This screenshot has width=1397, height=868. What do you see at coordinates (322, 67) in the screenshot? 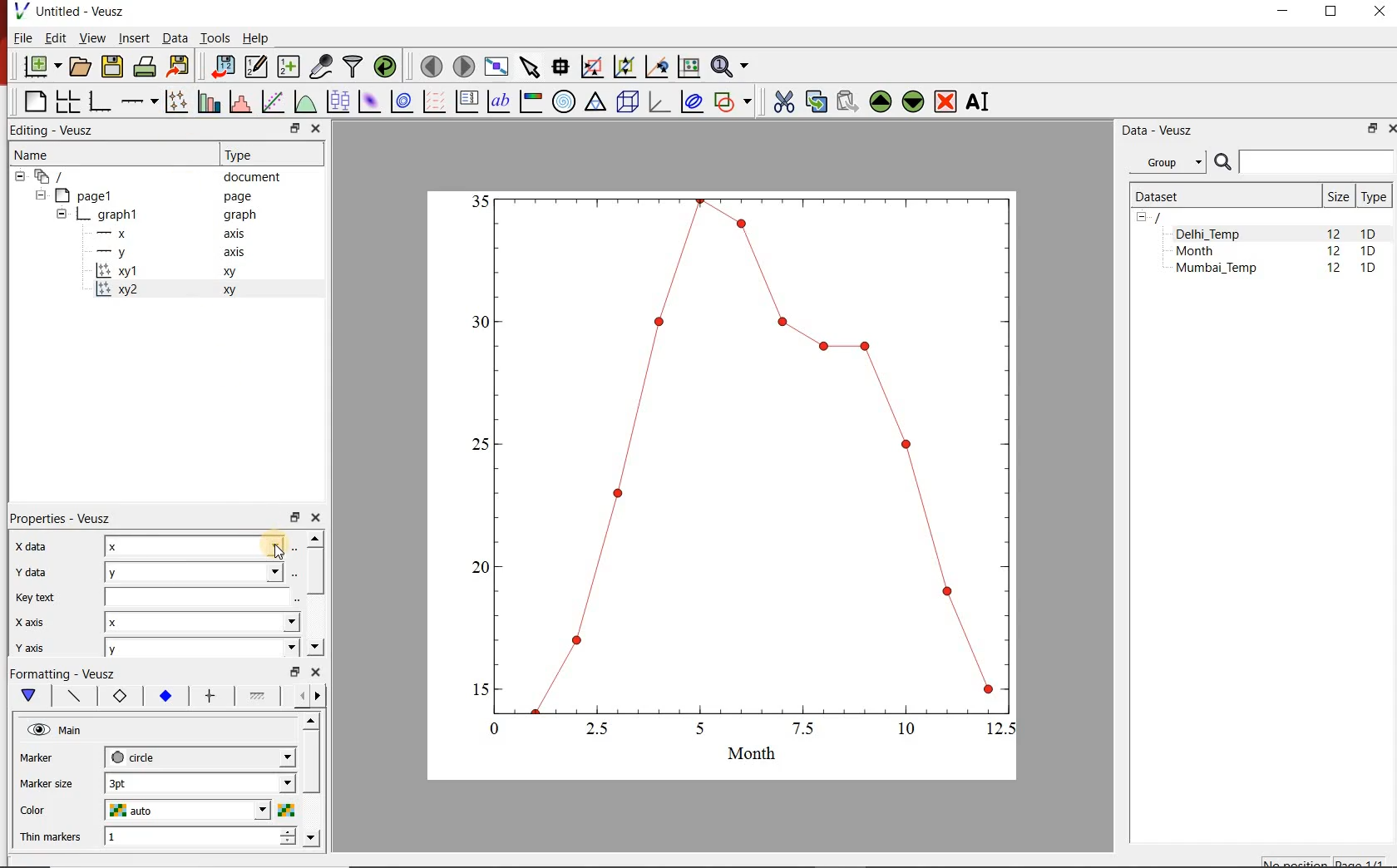
I see `capture remote data` at bounding box center [322, 67].